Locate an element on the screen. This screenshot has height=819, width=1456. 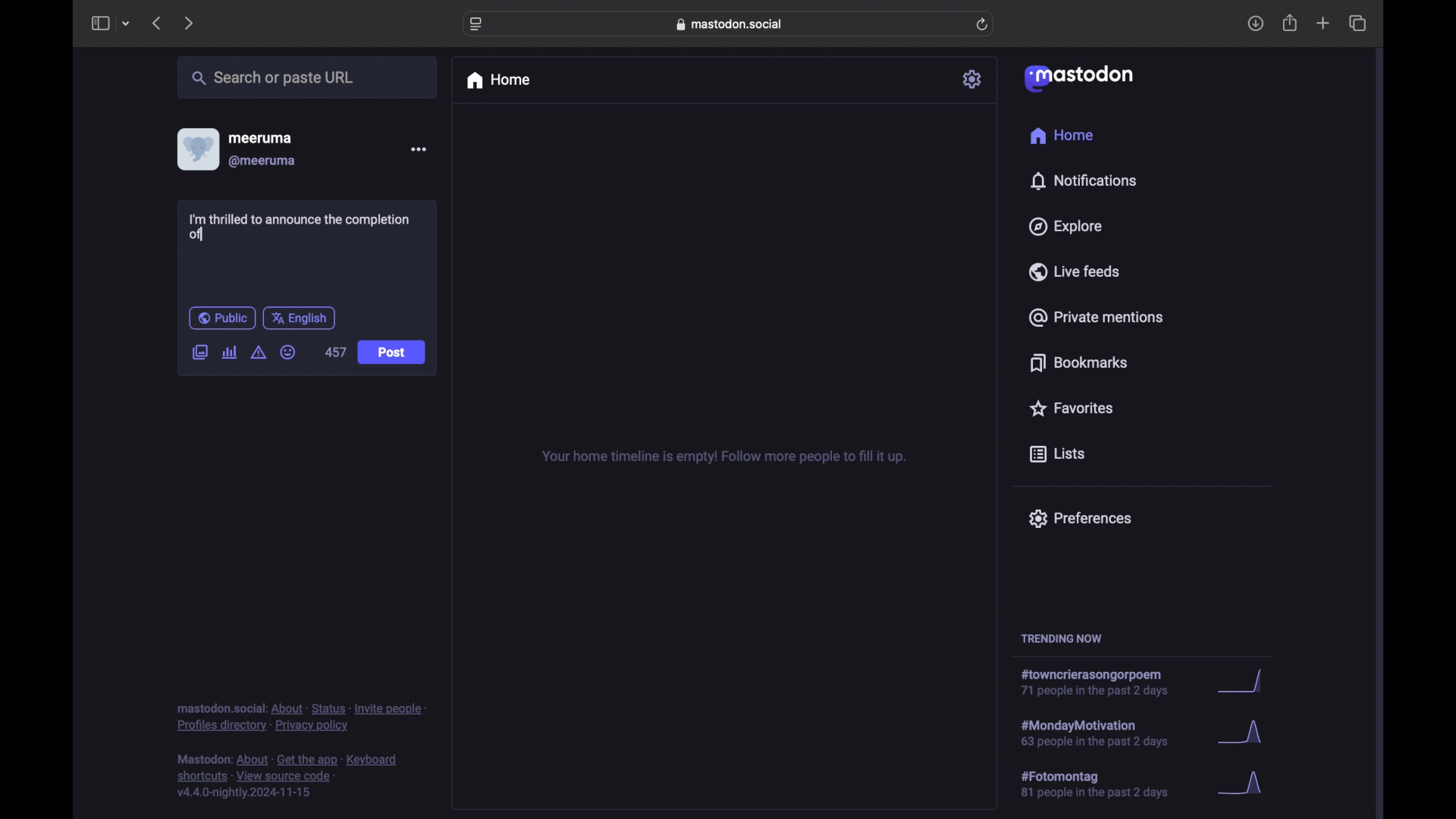
457 is located at coordinates (335, 352).